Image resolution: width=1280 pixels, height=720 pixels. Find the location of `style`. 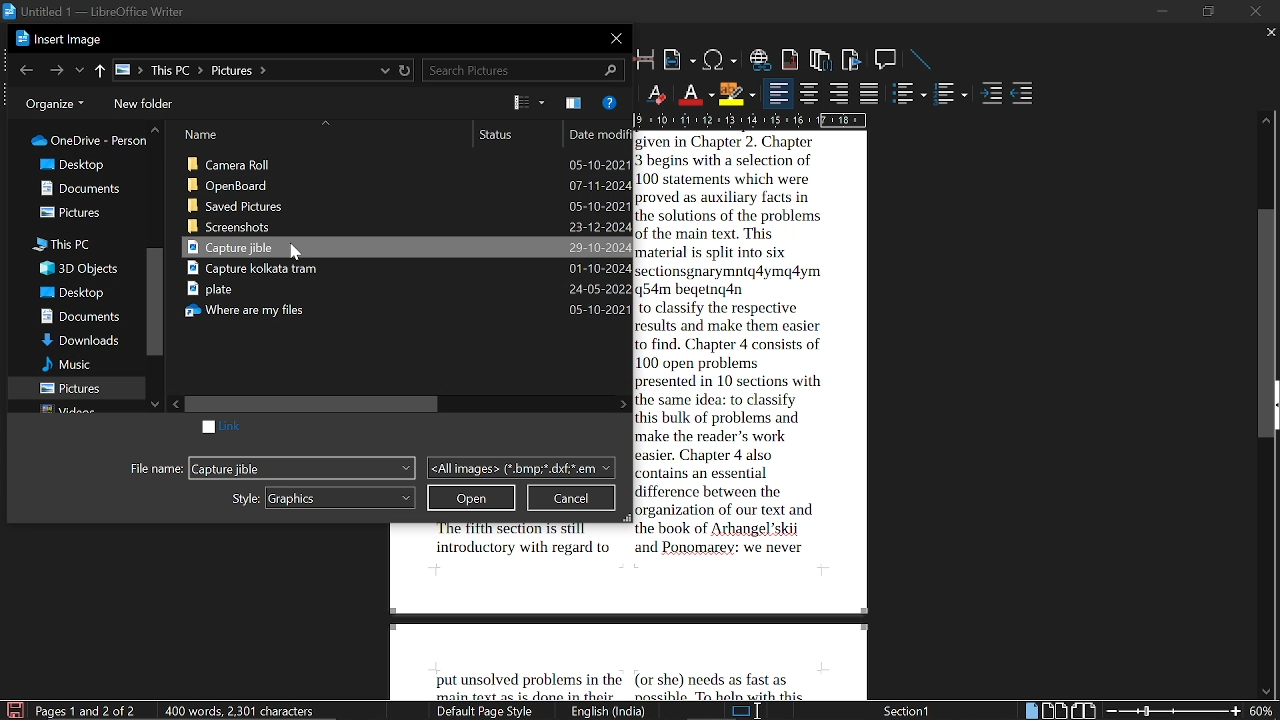

style is located at coordinates (240, 498).